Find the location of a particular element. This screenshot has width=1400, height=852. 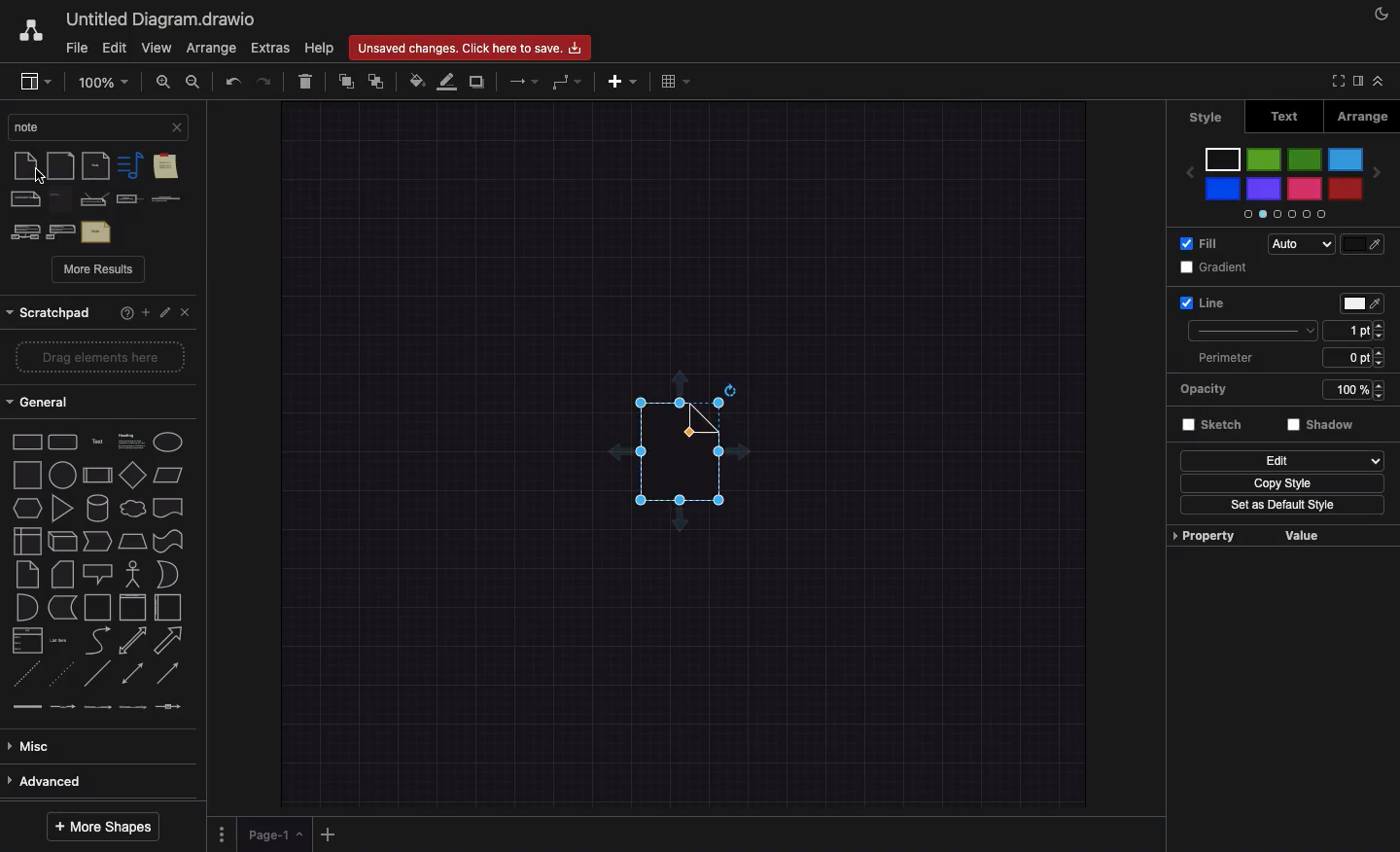

green is located at coordinates (1264, 161).